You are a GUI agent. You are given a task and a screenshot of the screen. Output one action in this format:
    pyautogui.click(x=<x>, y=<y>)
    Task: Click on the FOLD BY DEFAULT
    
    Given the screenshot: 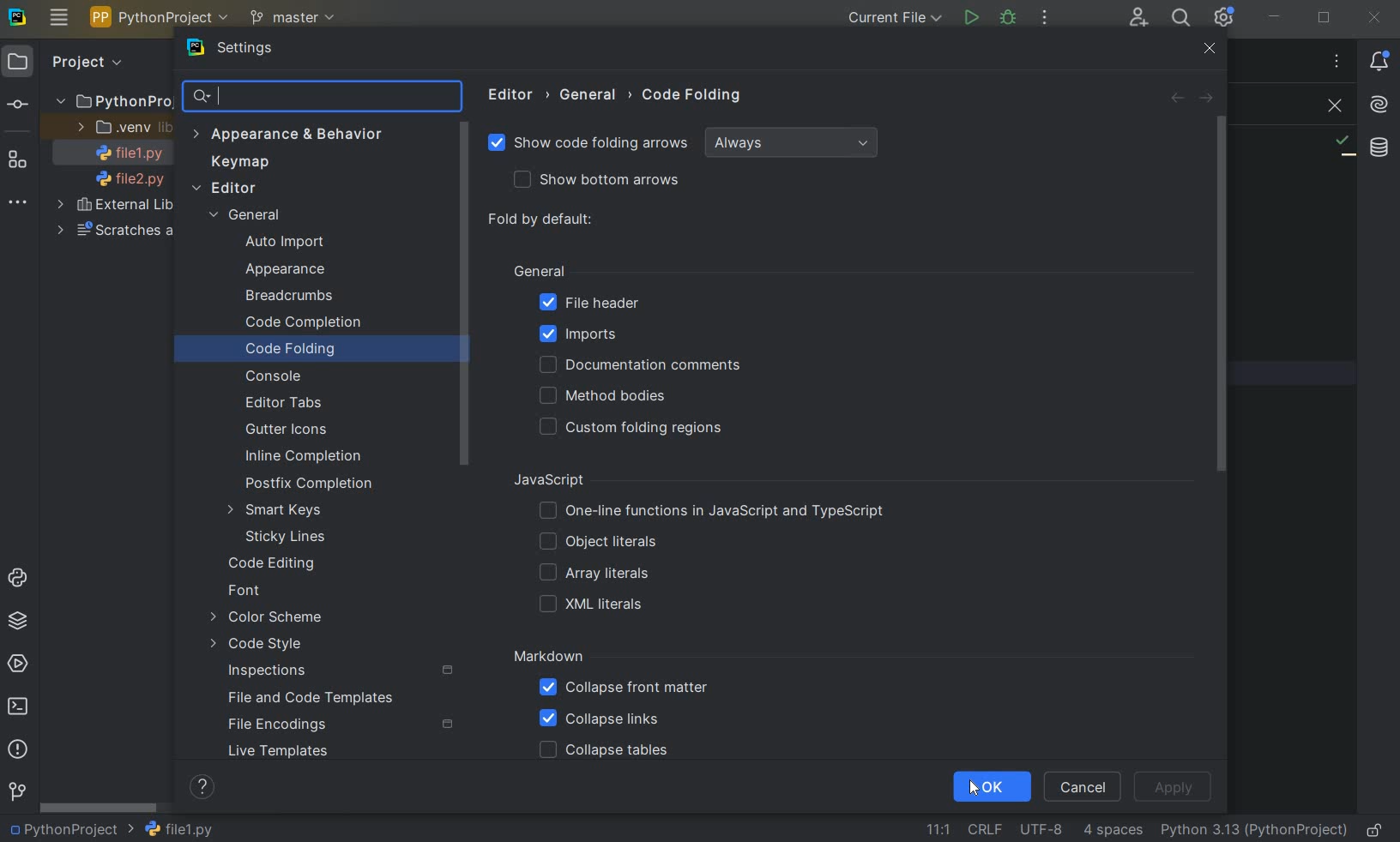 What is the action you would take?
    pyautogui.click(x=546, y=220)
    